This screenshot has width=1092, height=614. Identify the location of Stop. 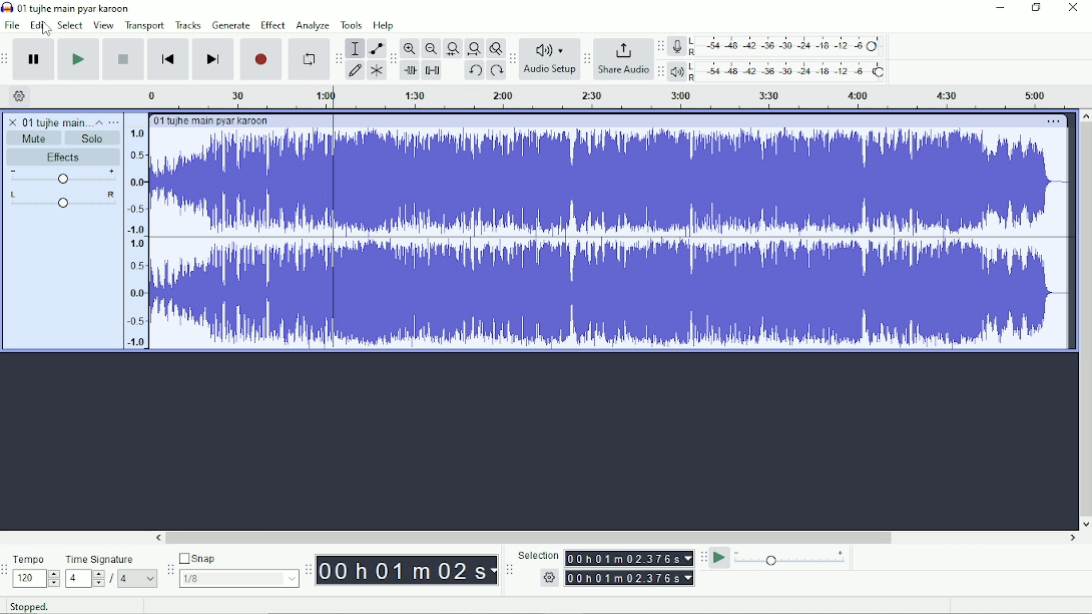
(123, 59).